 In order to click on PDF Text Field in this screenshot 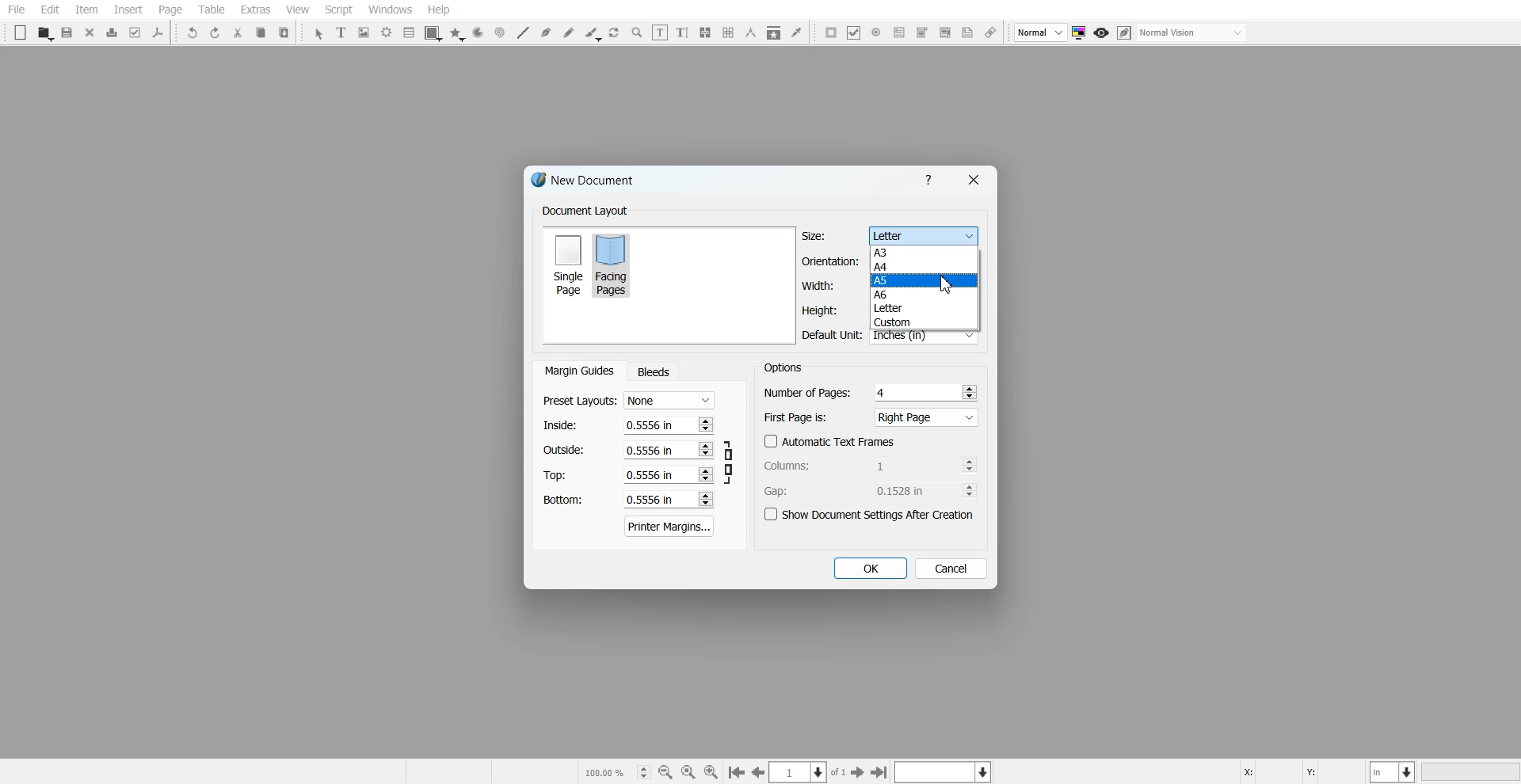, I will do `click(899, 32)`.